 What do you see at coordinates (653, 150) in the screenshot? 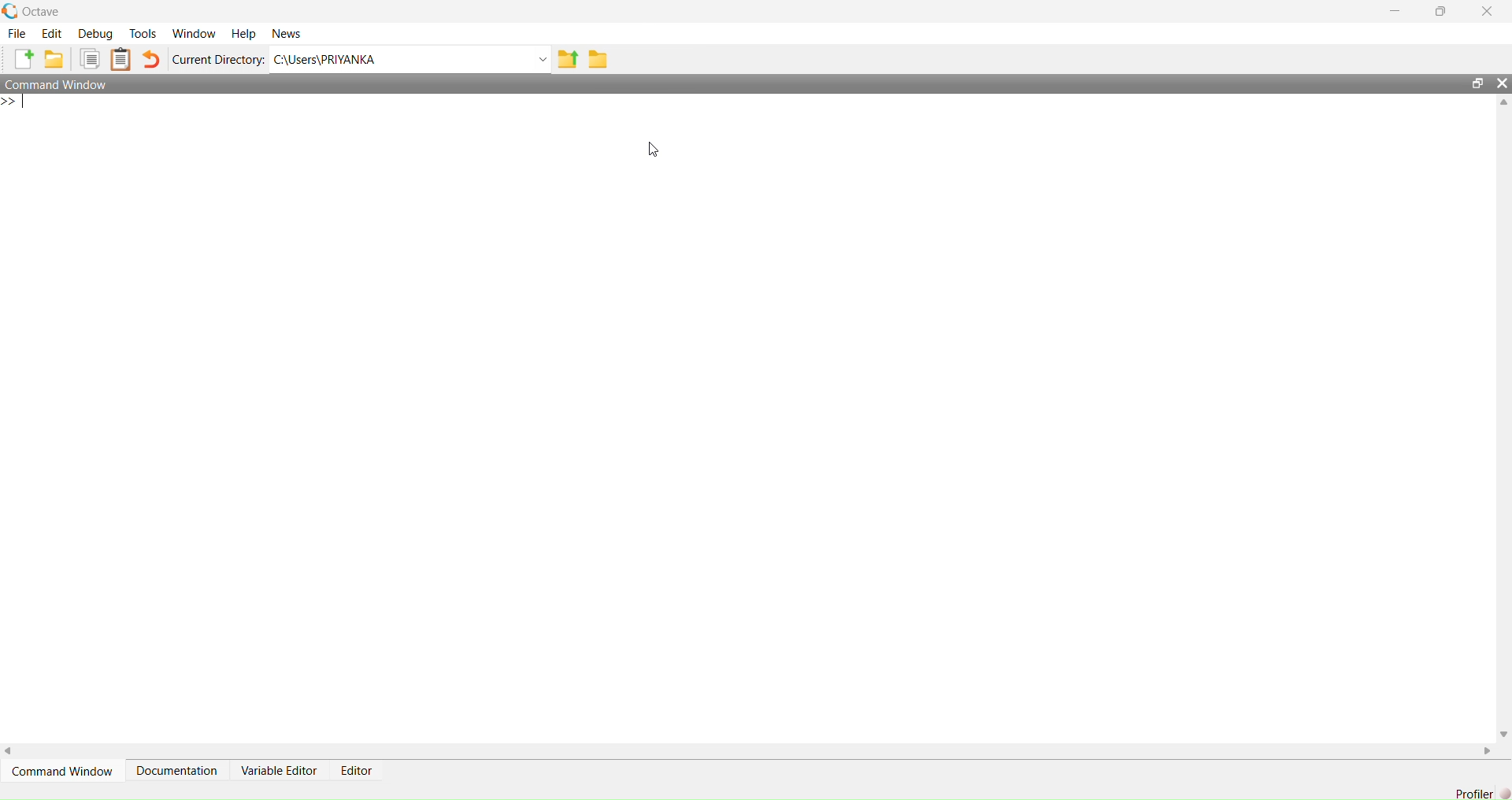
I see `cursor` at bounding box center [653, 150].